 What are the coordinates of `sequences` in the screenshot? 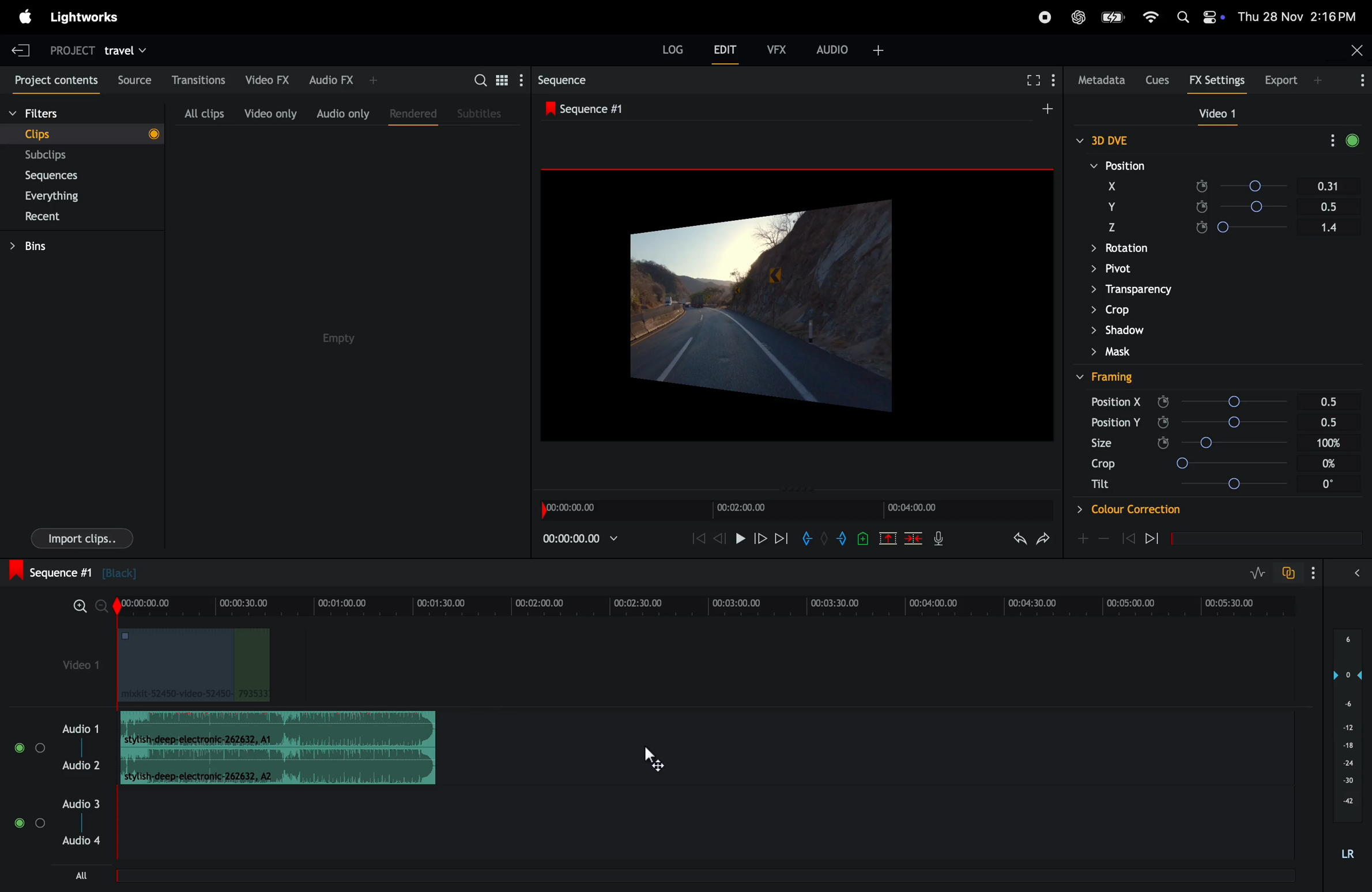 It's located at (61, 176).